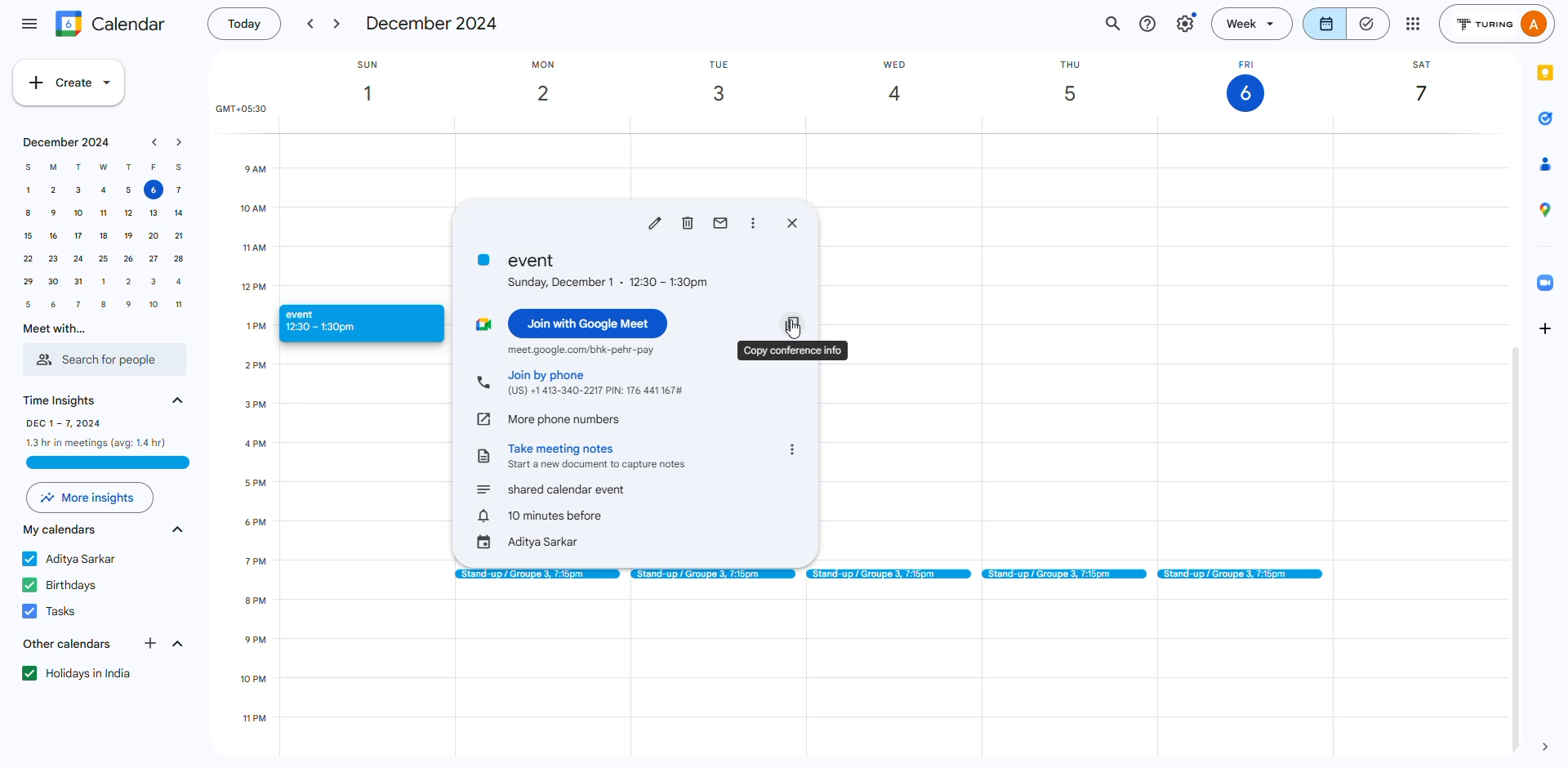 The width and height of the screenshot is (1568, 768). What do you see at coordinates (176, 400) in the screenshot?
I see `see` at bounding box center [176, 400].